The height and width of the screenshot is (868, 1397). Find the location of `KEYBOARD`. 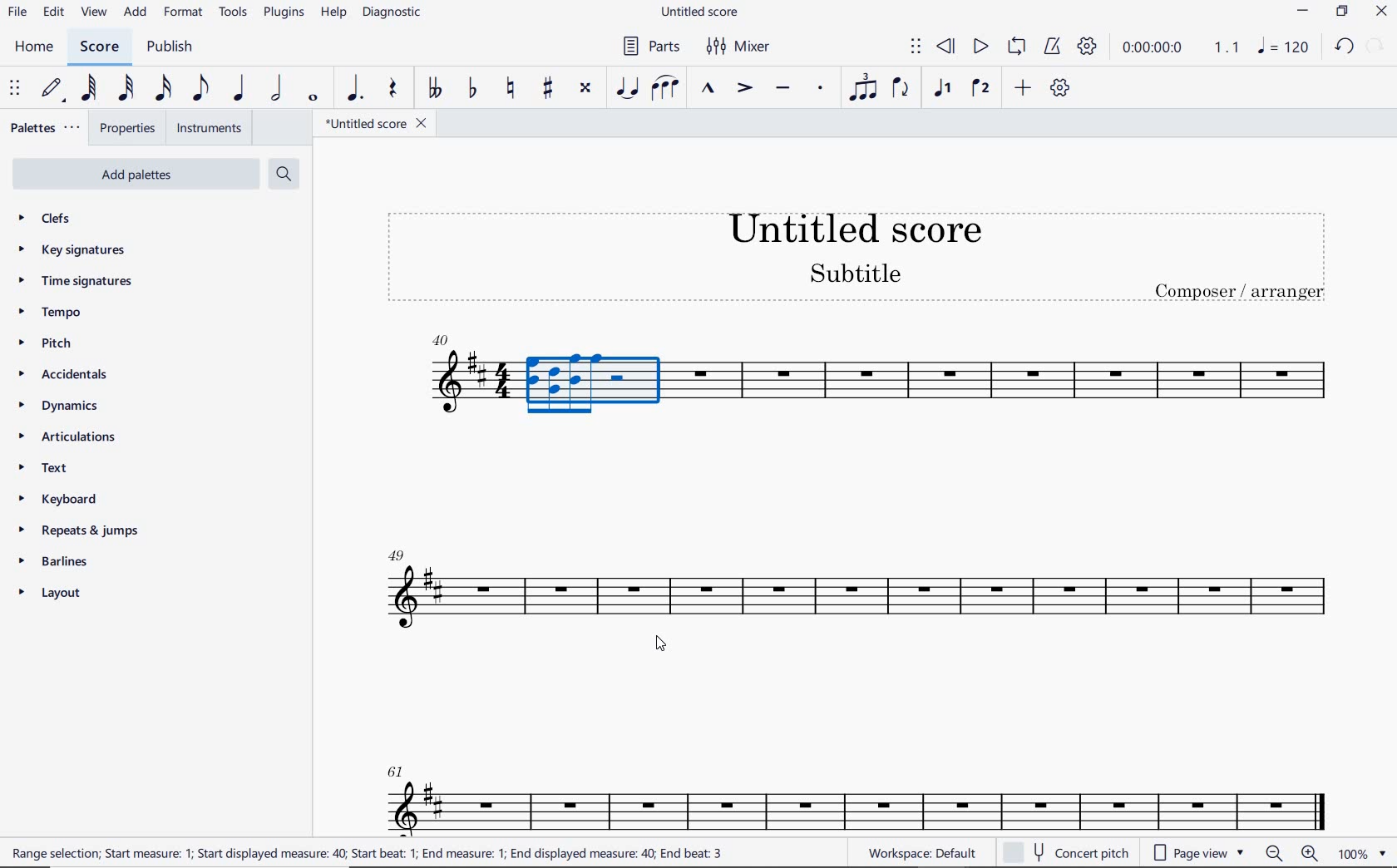

KEYBOARD is located at coordinates (72, 501).